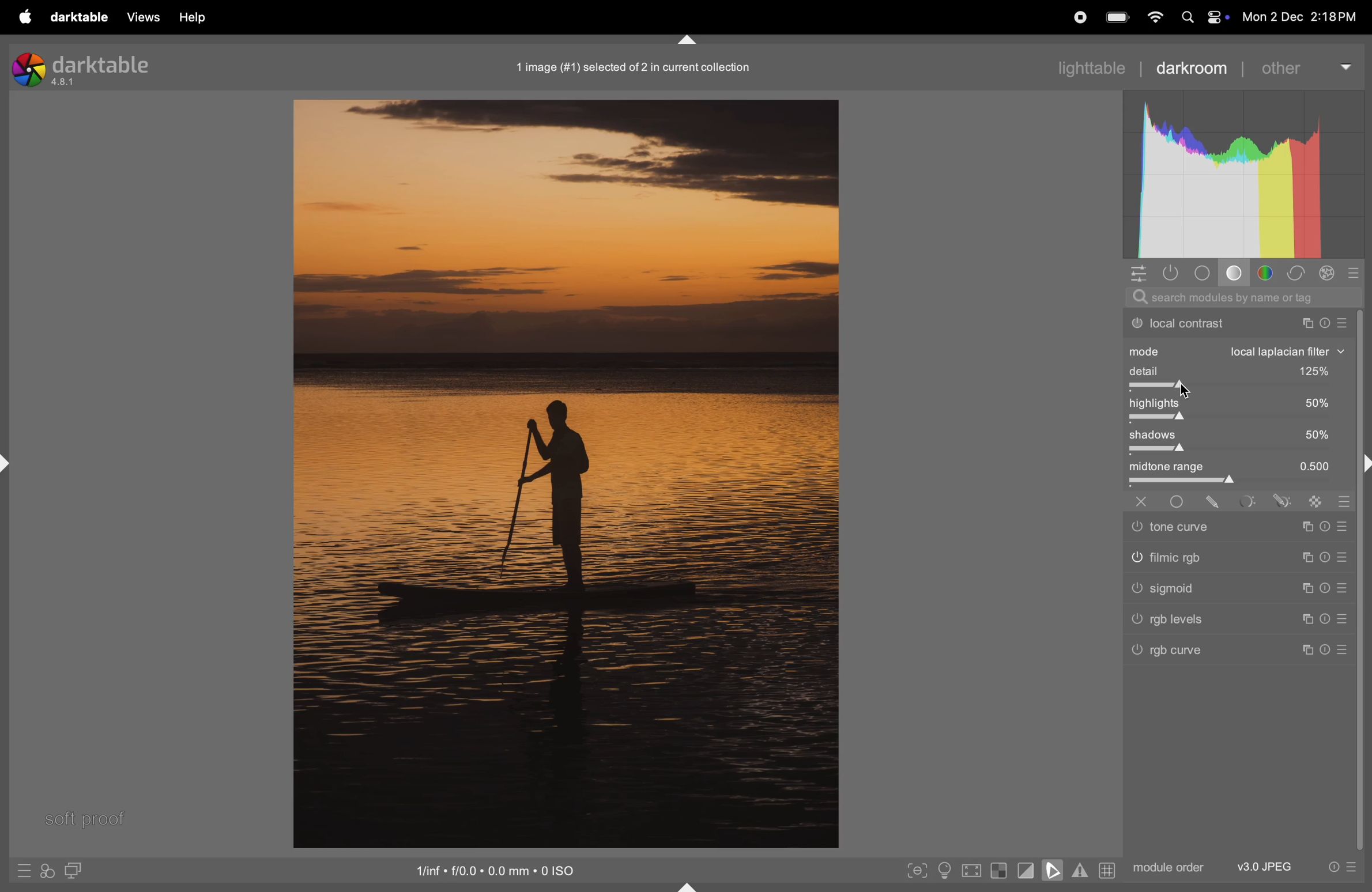 This screenshot has height=892, width=1372. What do you see at coordinates (1325, 558) in the screenshot?
I see `sign ` at bounding box center [1325, 558].